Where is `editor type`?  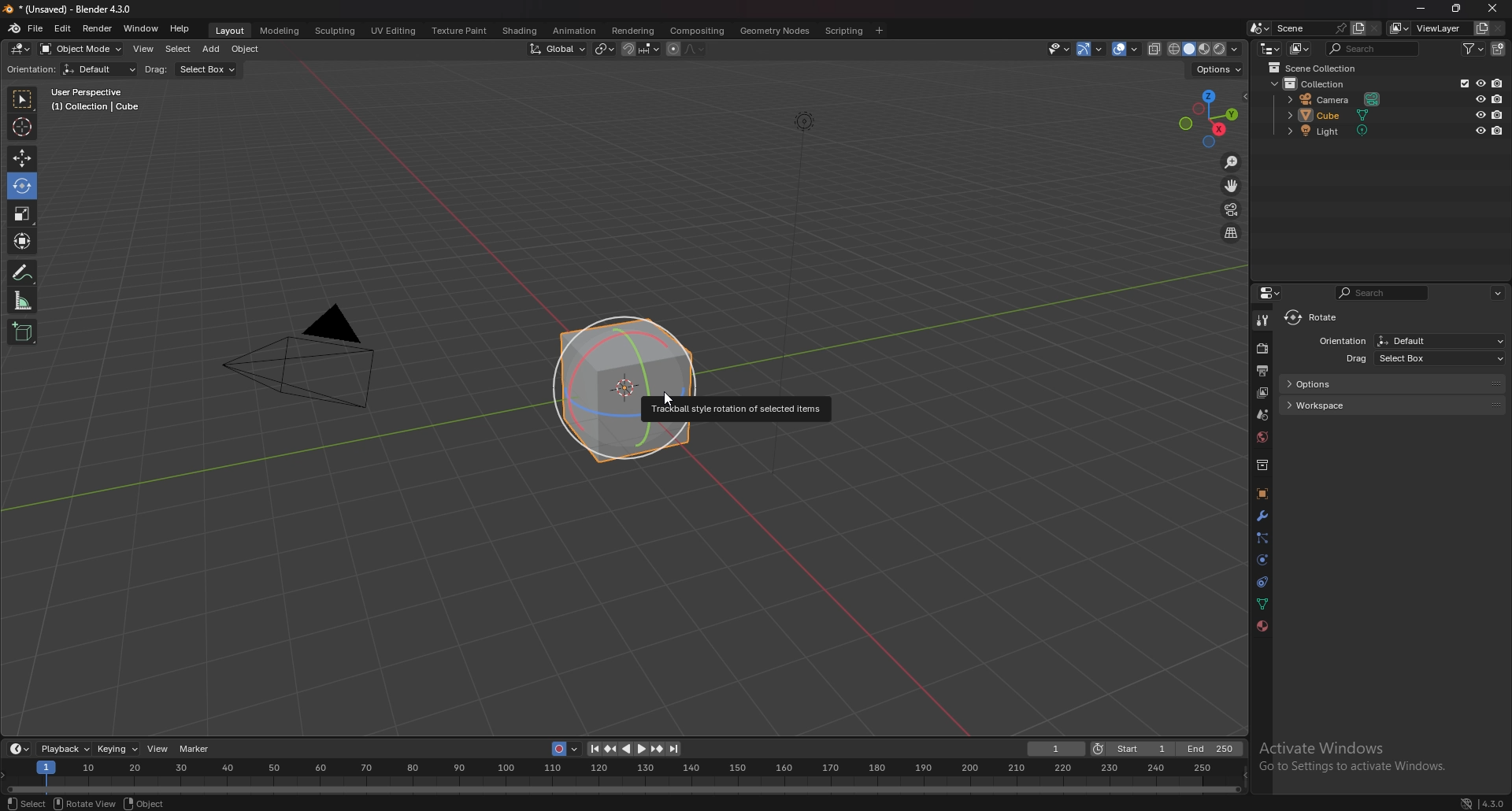 editor type is located at coordinates (21, 49).